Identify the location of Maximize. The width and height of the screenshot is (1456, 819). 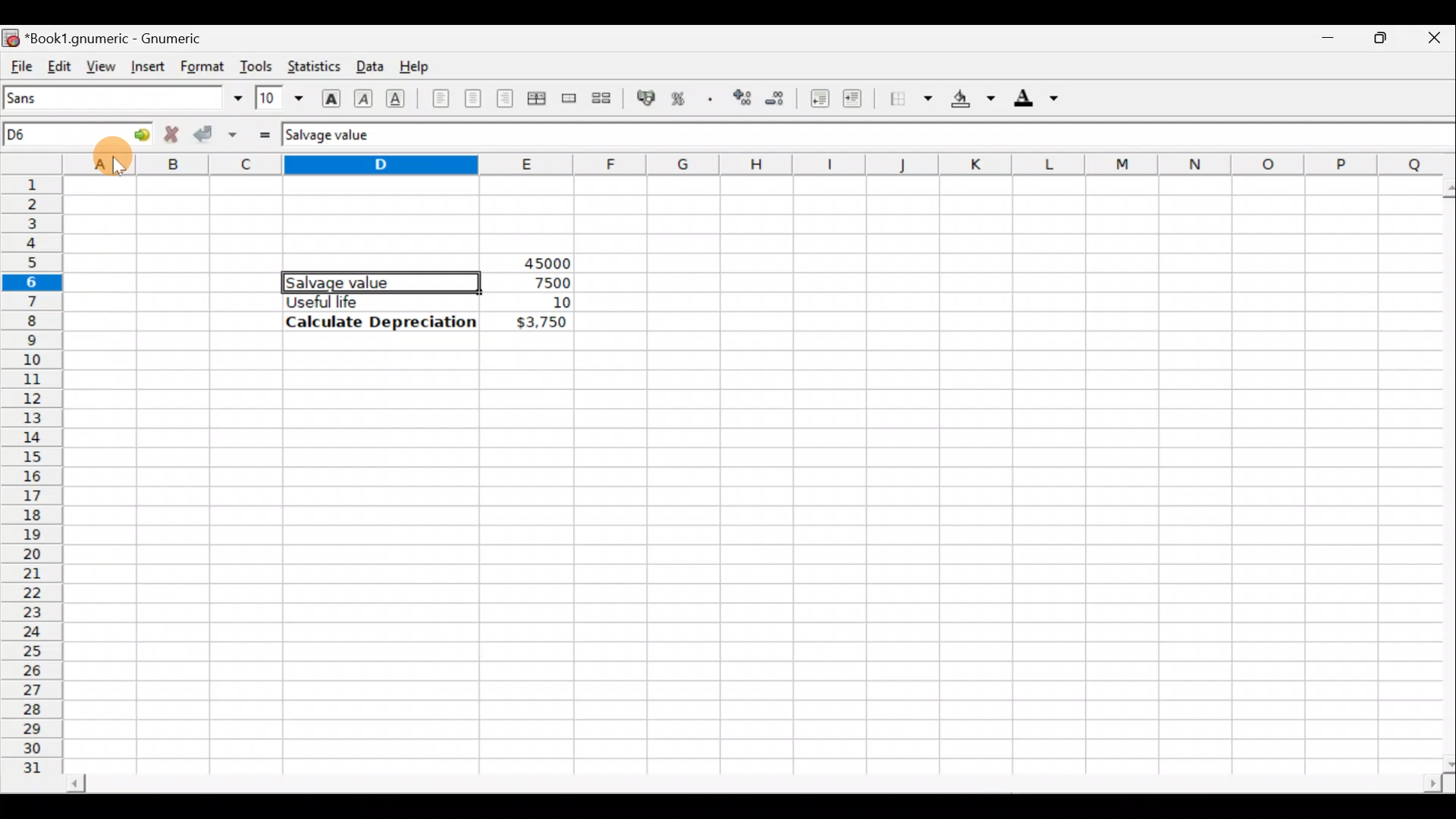
(1377, 42).